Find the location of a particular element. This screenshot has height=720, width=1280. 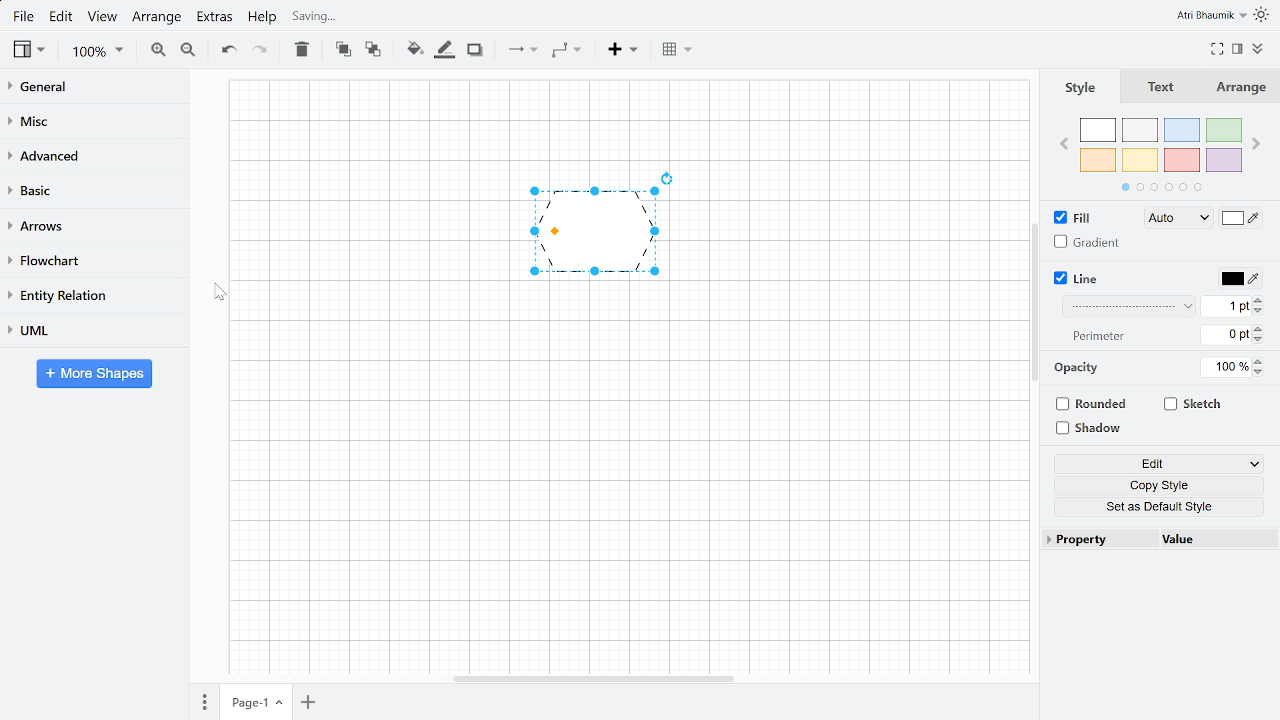

Insert is located at coordinates (622, 51).